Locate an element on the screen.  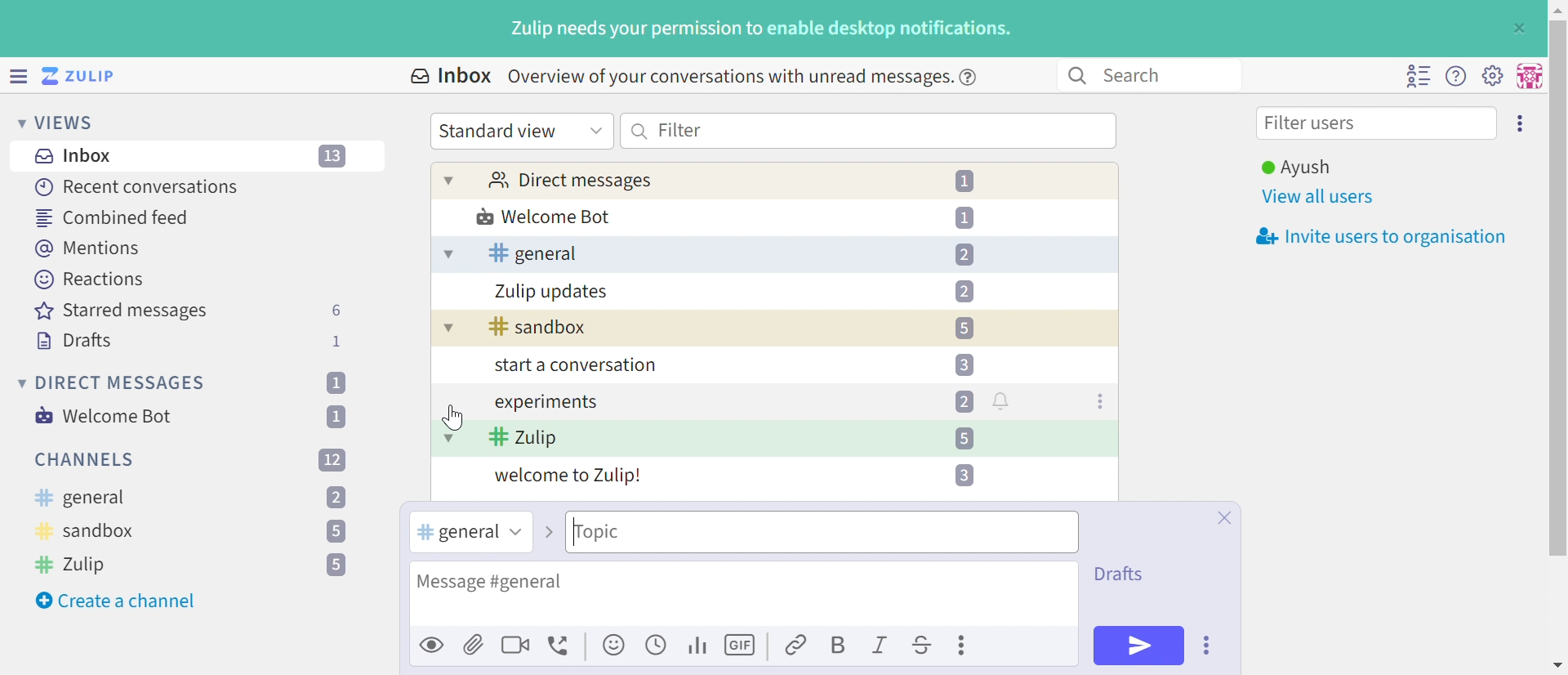
DIRECT MESSAGES is located at coordinates (122, 383).